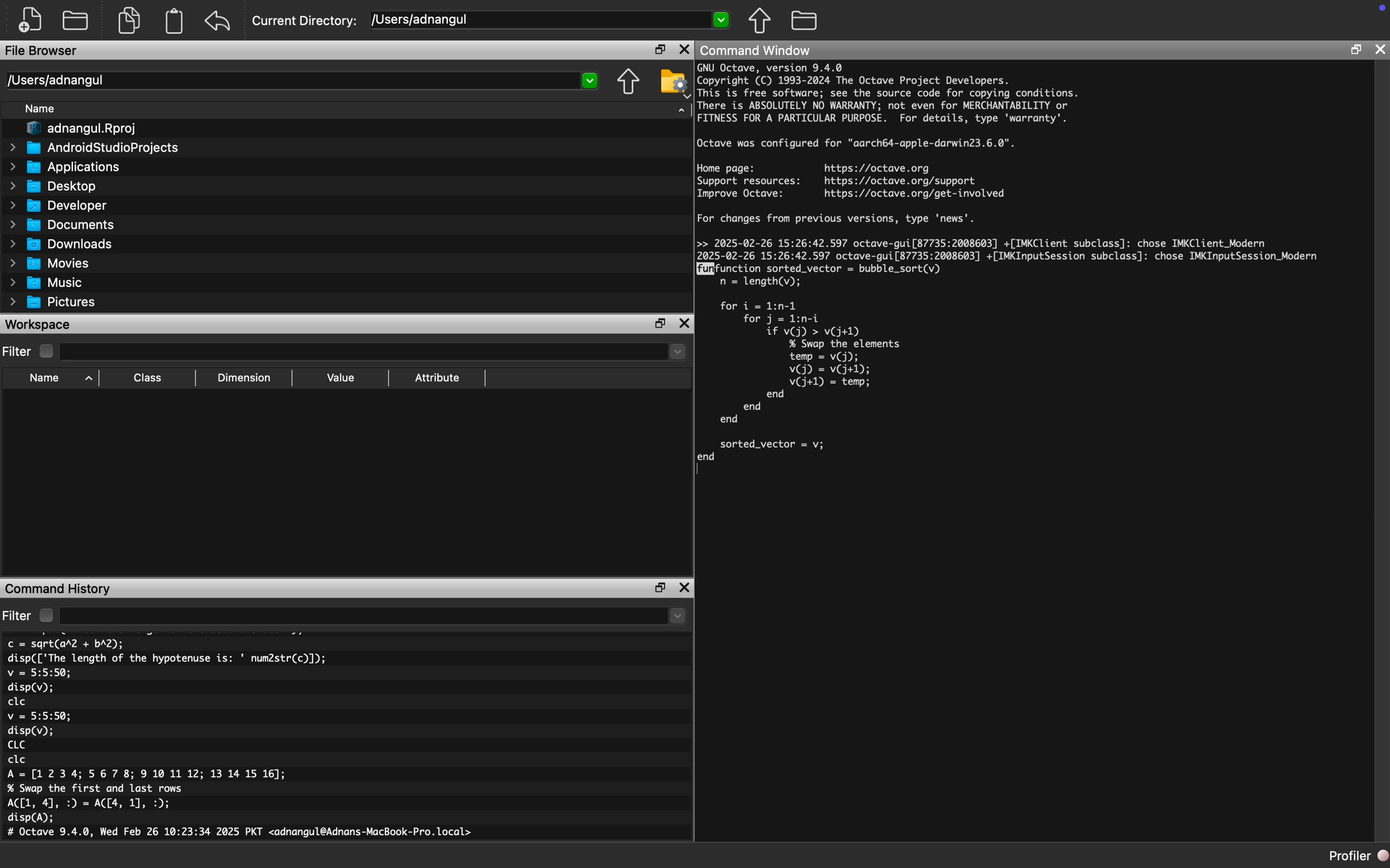 The width and height of the screenshot is (1390, 868). Describe the element at coordinates (755, 50) in the screenshot. I see `Command Window` at that location.